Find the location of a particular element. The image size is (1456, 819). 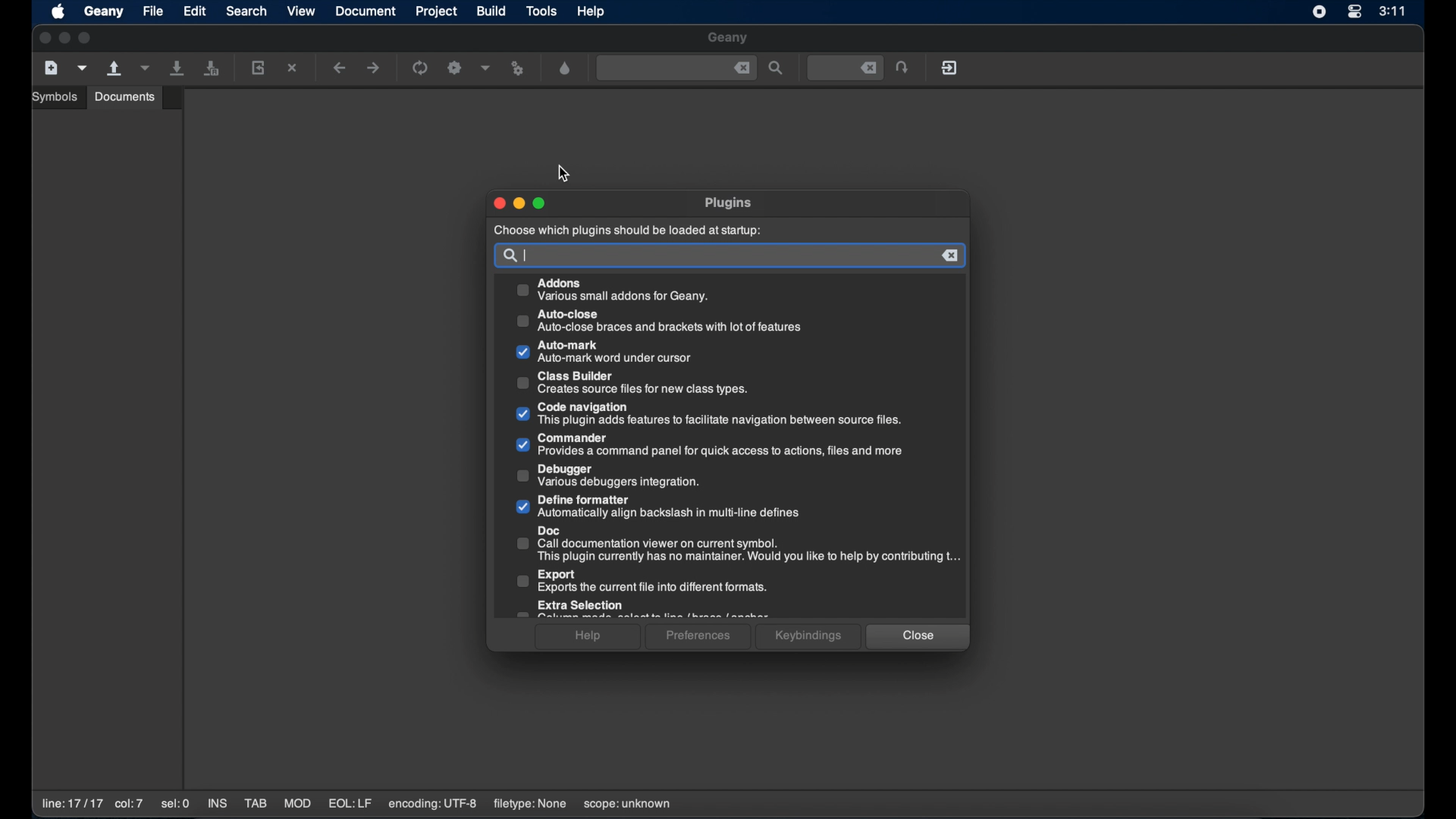

Addons Various small addons for Geany. is located at coordinates (621, 292).